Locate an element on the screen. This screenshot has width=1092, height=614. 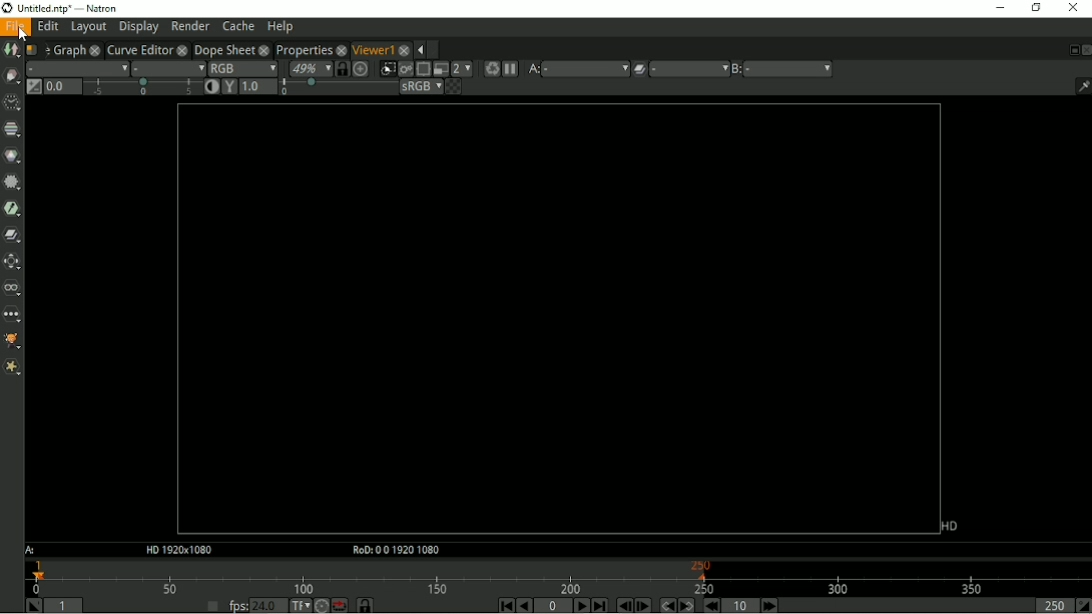
Play forward is located at coordinates (580, 605).